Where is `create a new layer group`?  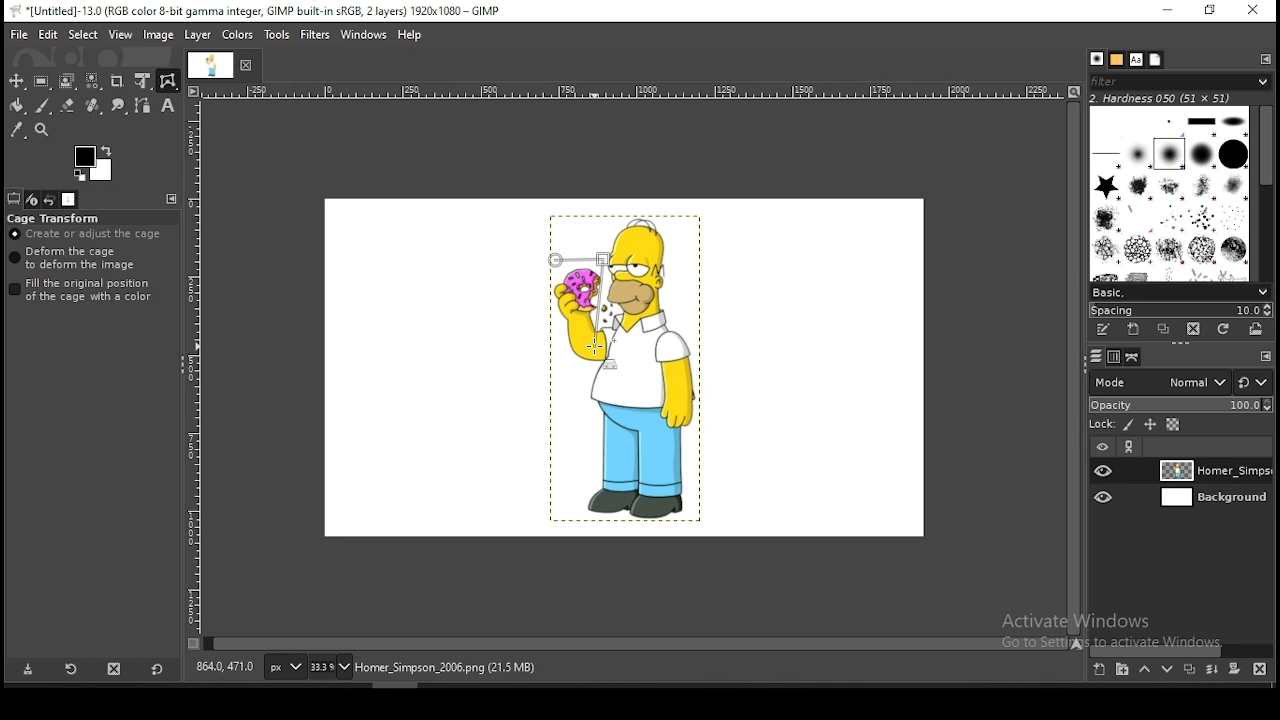
create a new layer group is located at coordinates (1123, 670).